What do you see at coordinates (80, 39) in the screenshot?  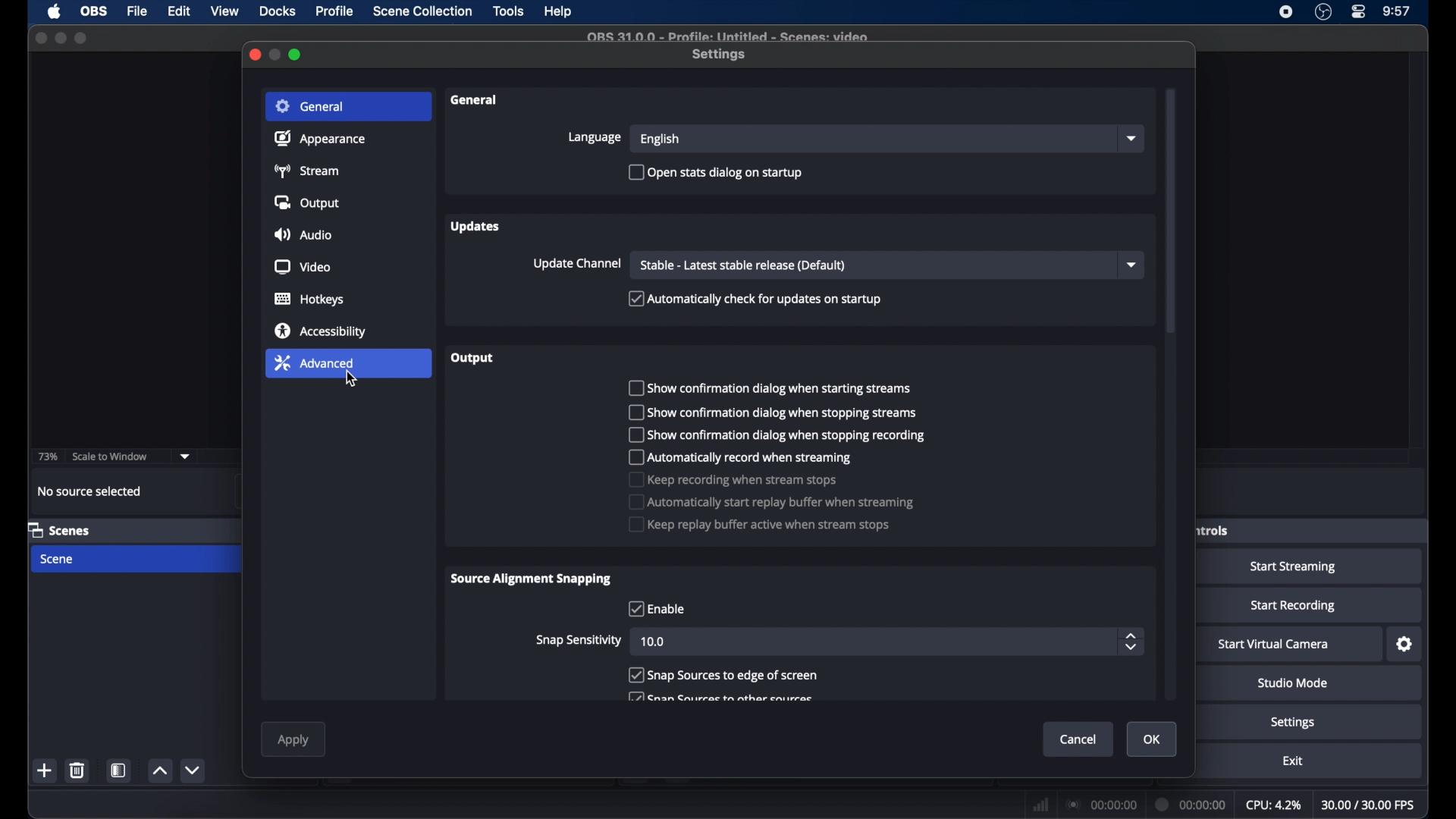 I see `maximize` at bounding box center [80, 39].